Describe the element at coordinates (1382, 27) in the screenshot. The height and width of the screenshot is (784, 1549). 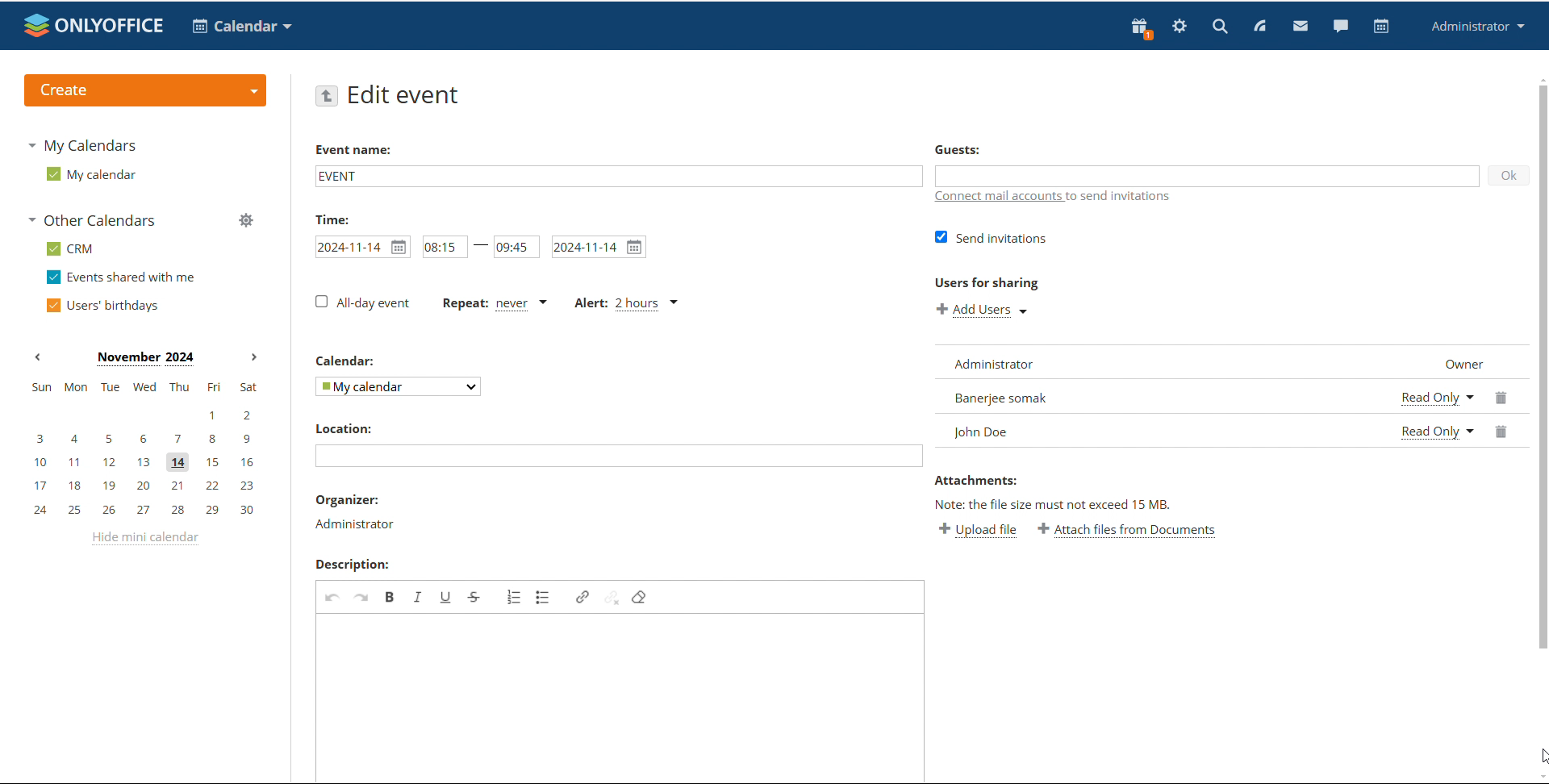
I see `calendar` at that location.